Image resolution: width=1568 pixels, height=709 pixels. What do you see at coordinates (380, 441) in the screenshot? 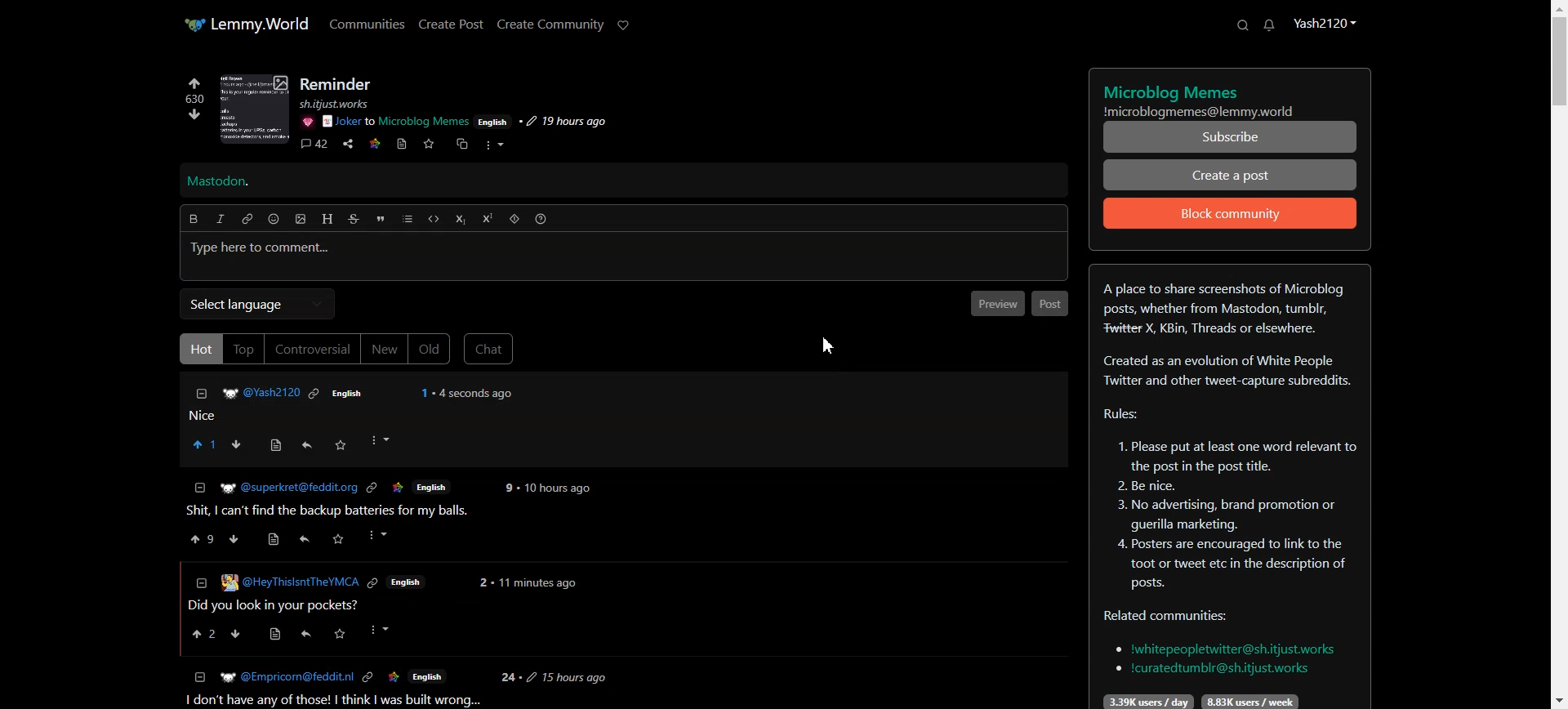
I see `` at bounding box center [380, 441].